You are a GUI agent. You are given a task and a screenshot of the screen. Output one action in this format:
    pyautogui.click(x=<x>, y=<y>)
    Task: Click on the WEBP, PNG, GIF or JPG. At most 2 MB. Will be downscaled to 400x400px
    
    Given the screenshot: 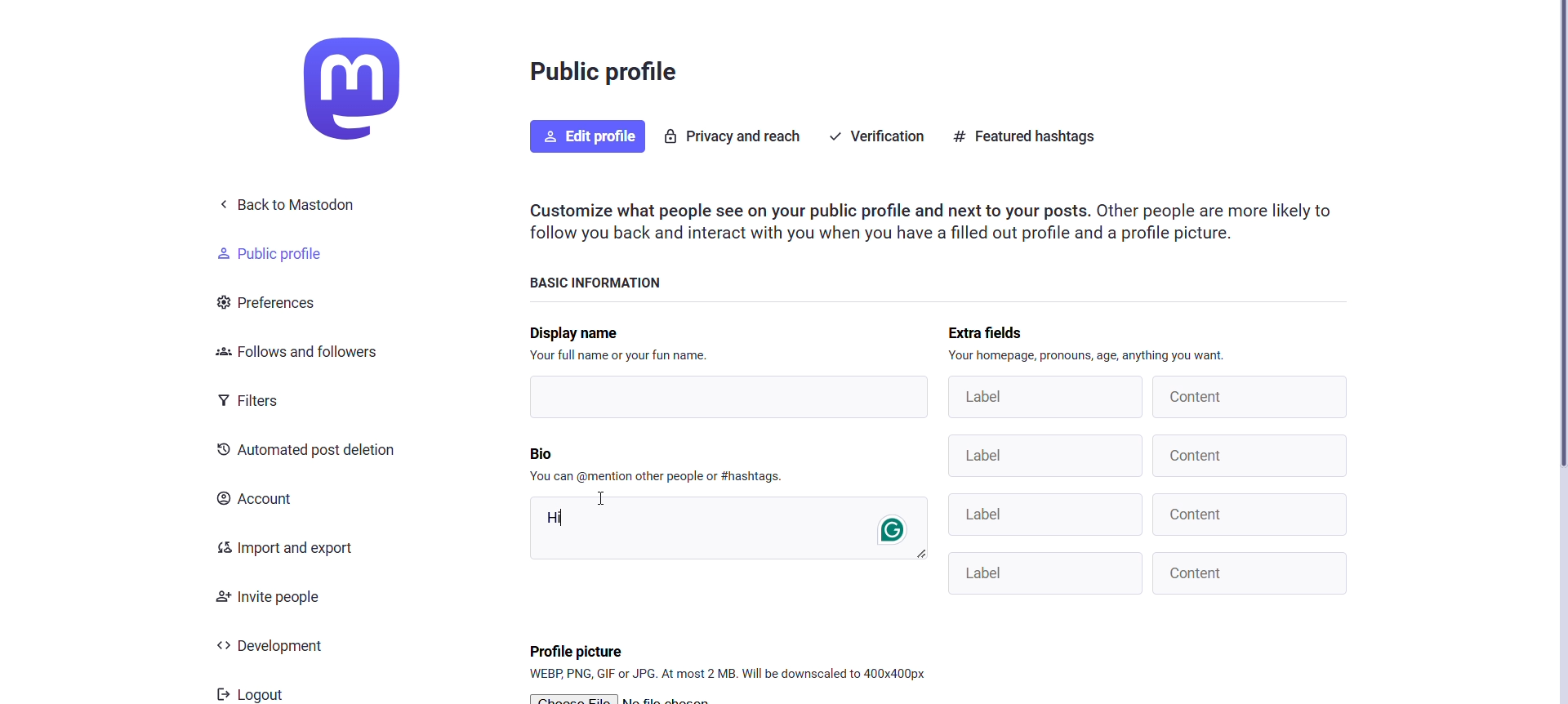 What is the action you would take?
    pyautogui.click(x=726, y=675)
    